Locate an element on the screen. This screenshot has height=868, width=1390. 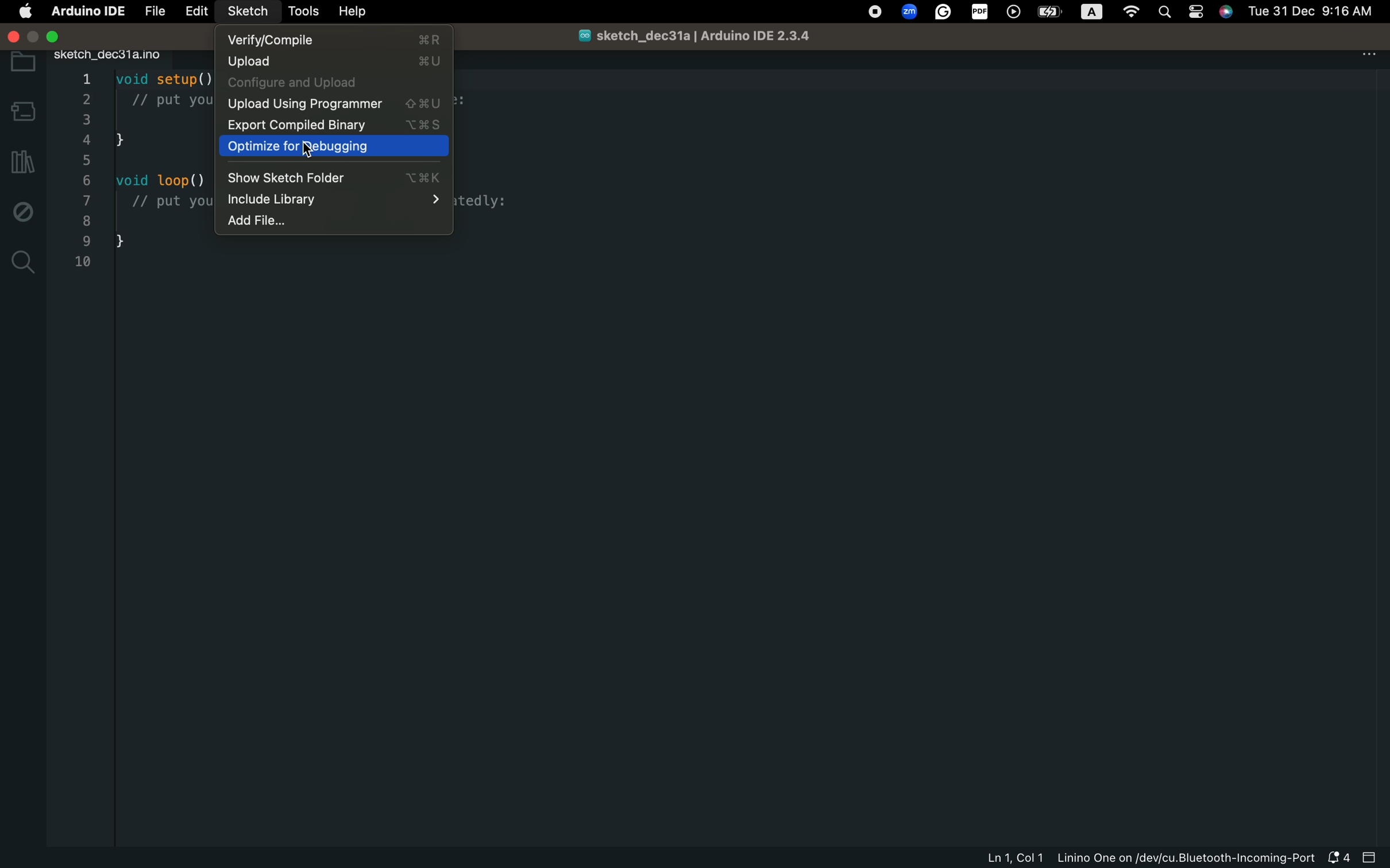
board manager is located at coordinates (22, 111).